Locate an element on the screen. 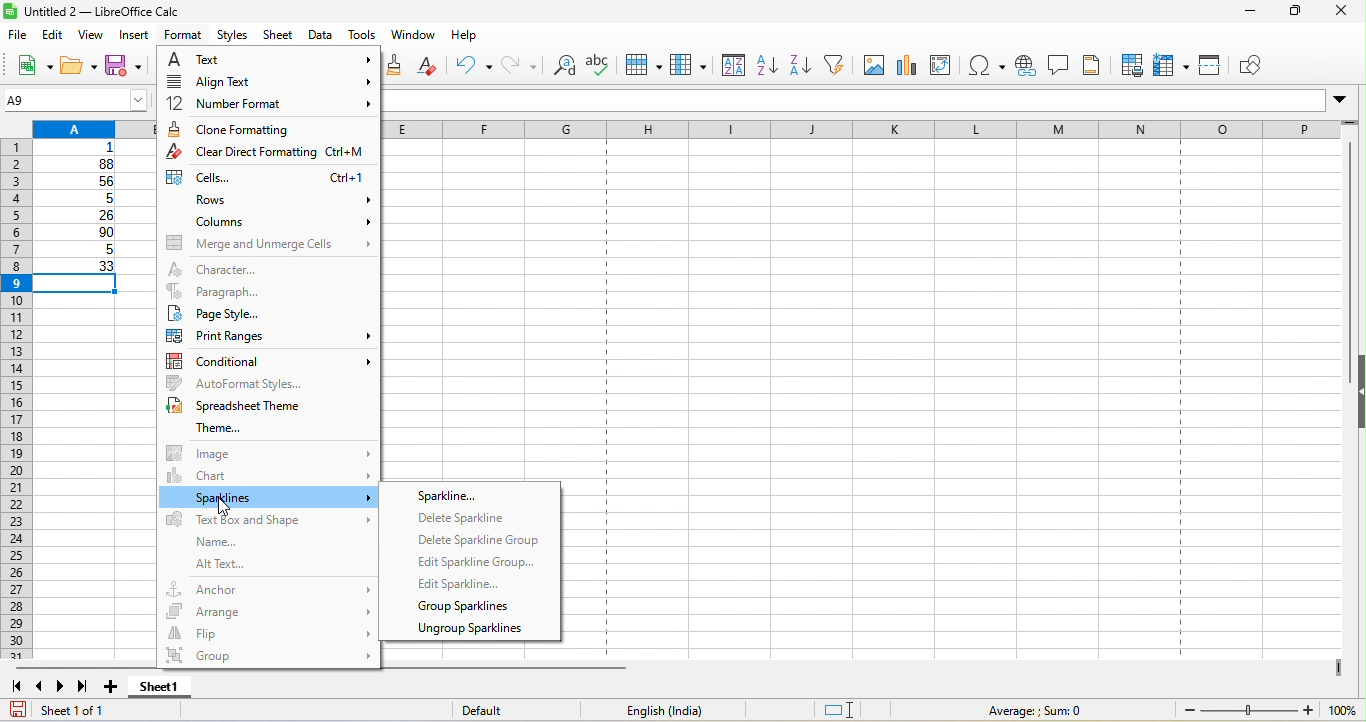 This screenshot has width=1366, height=722. delete sparkline group is located at coordinates (477, 542).